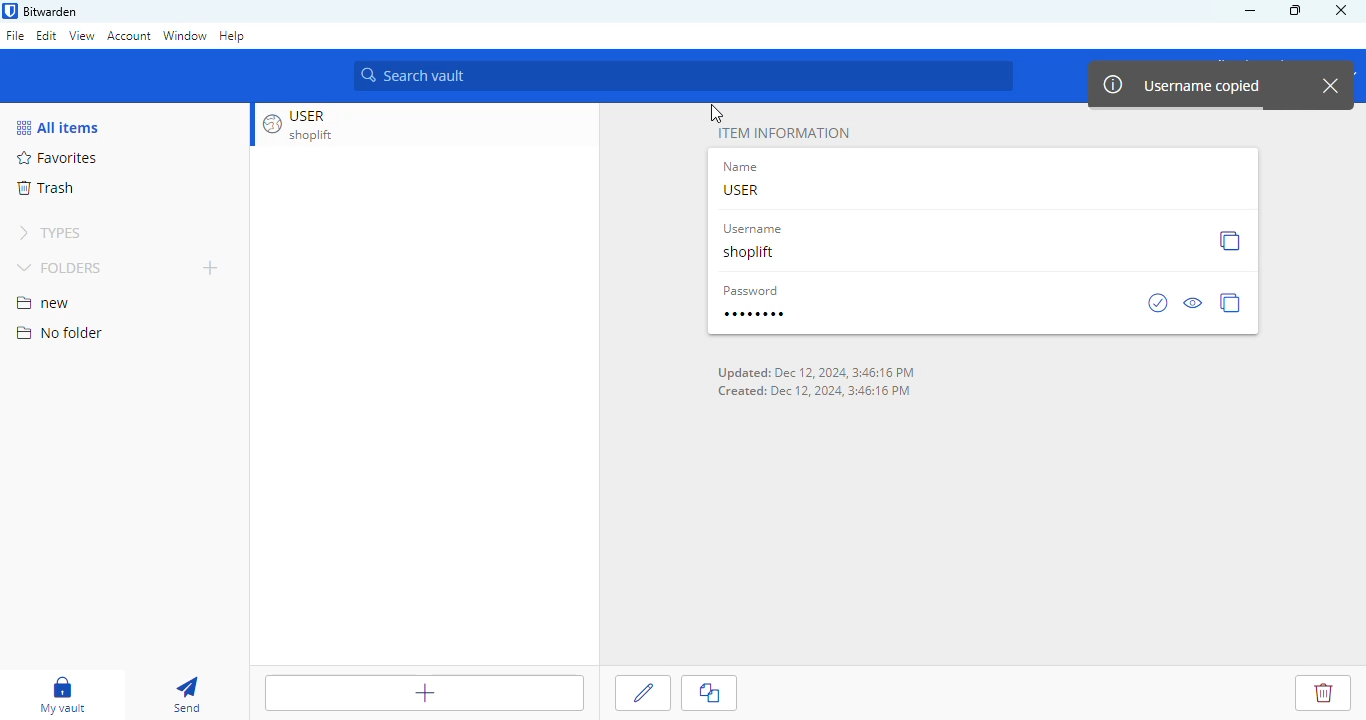 This screenshot has width=1366, height=720. I want to click on item information, so click(784, 133).